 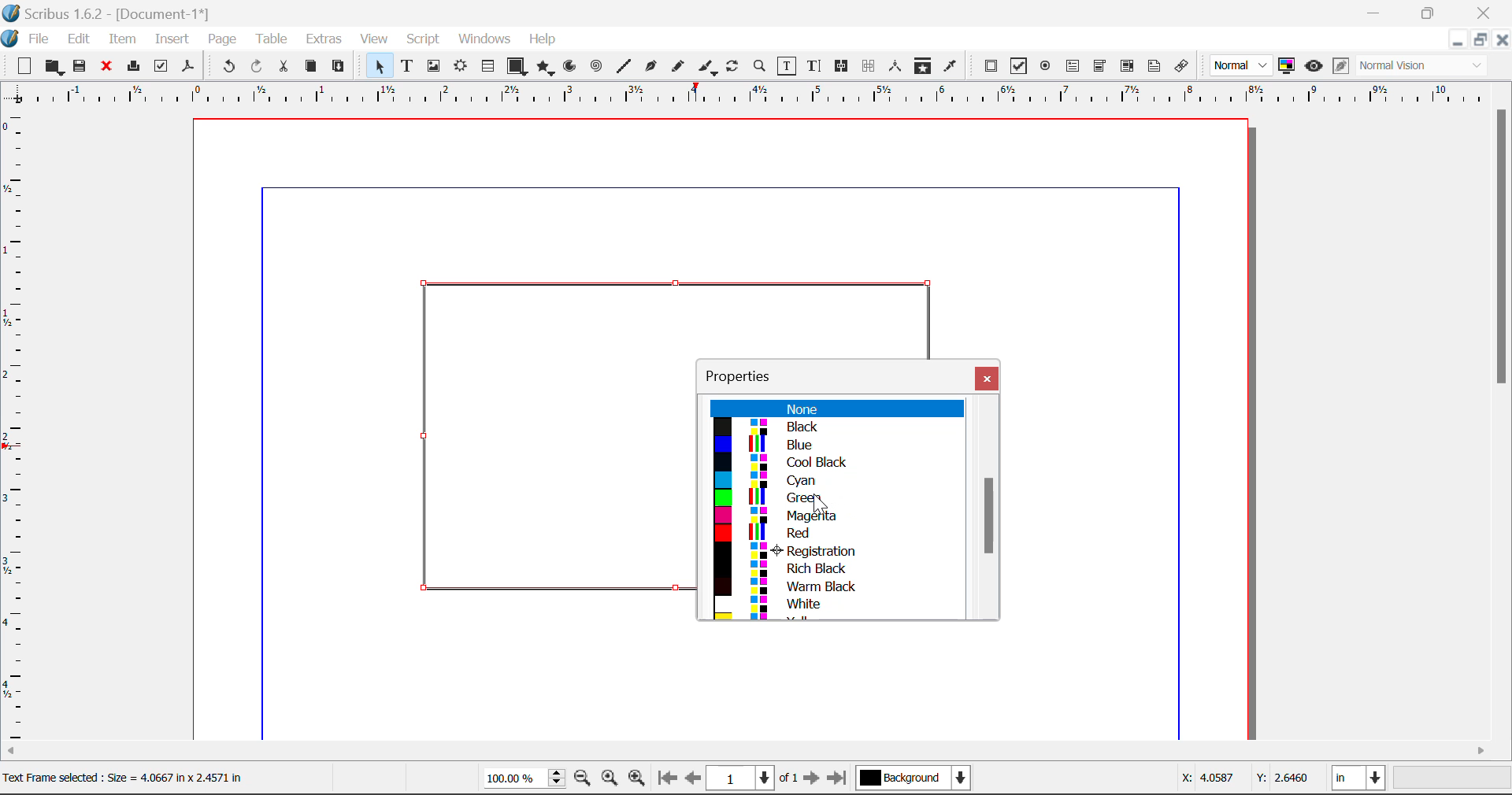 What do you see at coordinates (54, 67) in the screenshot?
I see `Open` at bounding box center [54, 67].